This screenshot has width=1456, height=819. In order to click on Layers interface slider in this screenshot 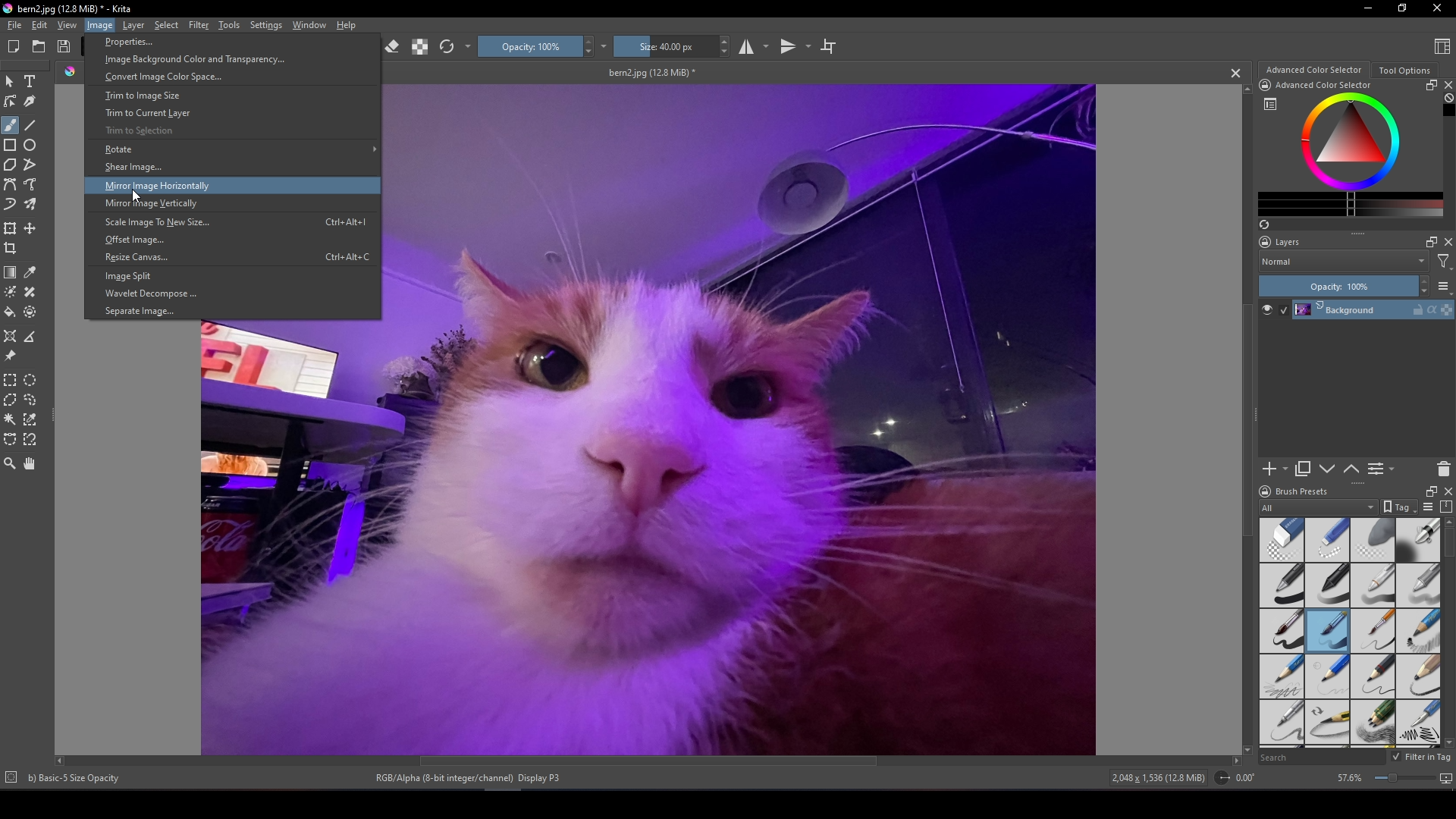, I will do `click(1357, 483)`.